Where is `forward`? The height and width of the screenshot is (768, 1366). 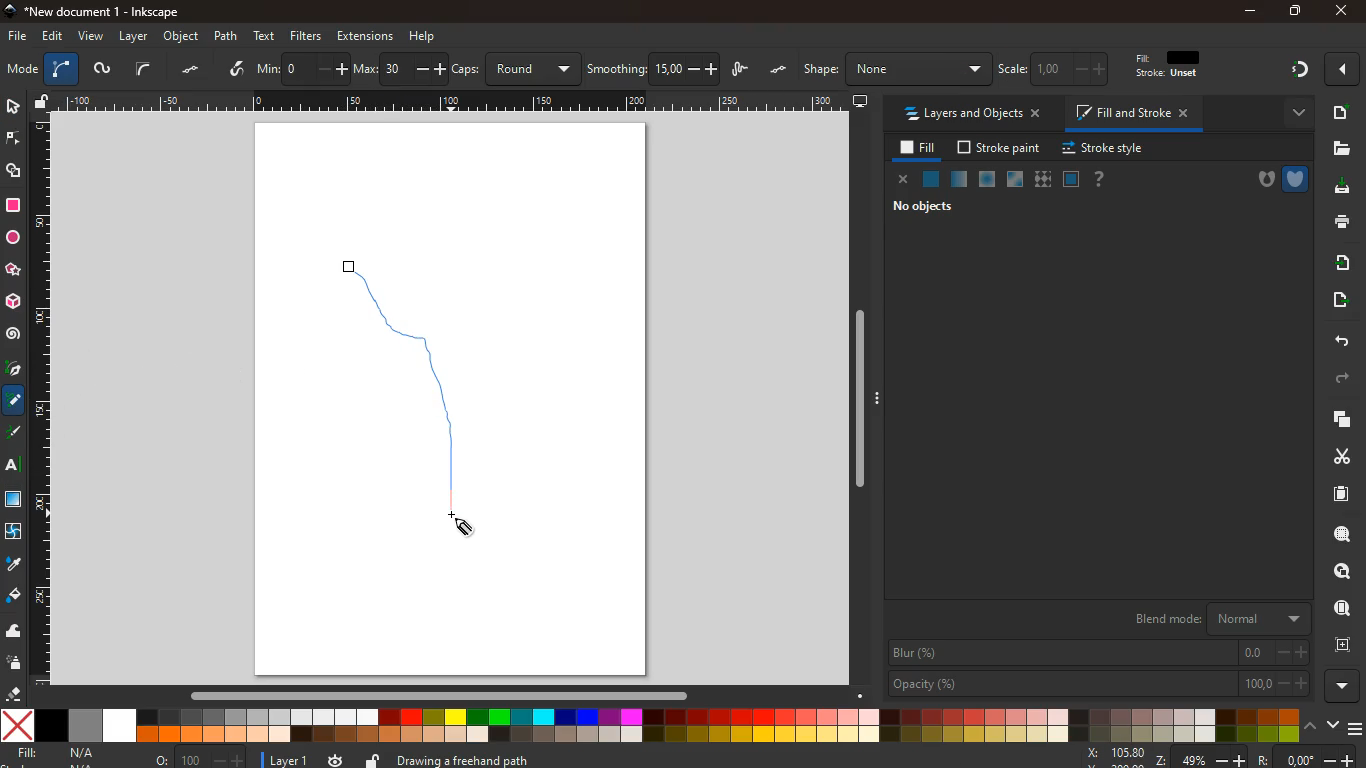 forward is located at coordinates (1343, 381).